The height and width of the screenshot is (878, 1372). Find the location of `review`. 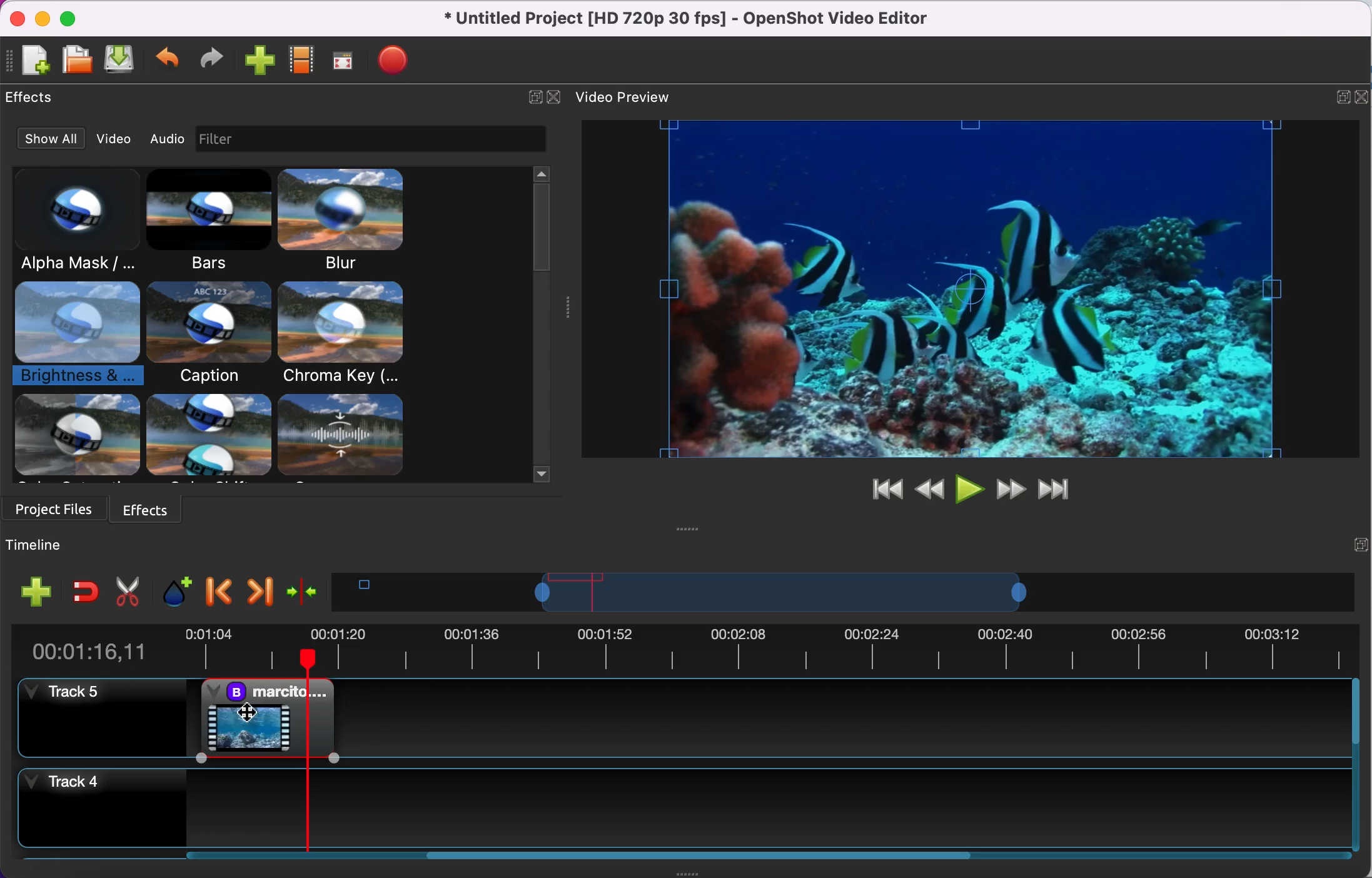

review is located at coordinates (929, 487).